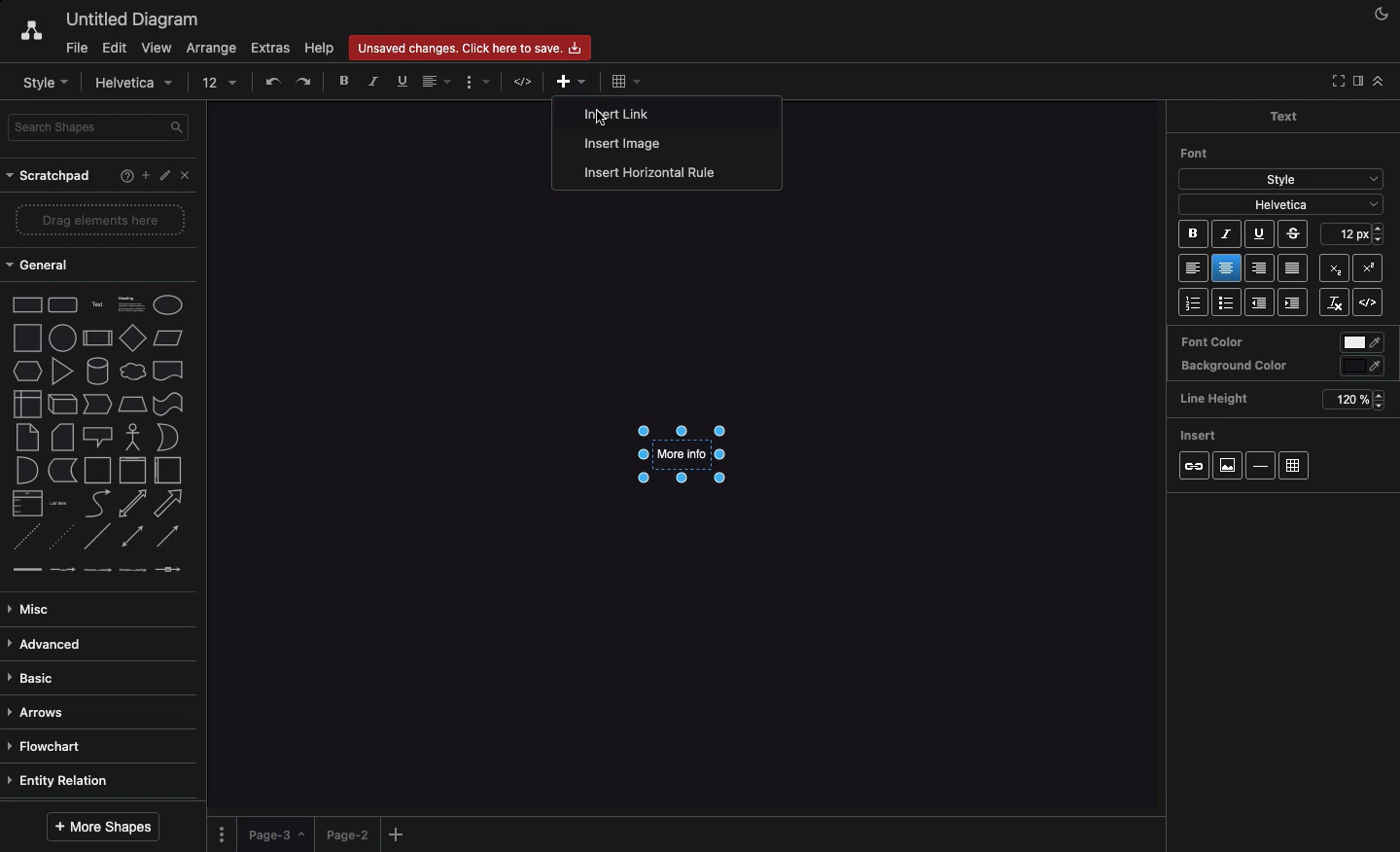 The height and width of the screenshot is (852, 1400). I want to click on cube, so click(62, 405).